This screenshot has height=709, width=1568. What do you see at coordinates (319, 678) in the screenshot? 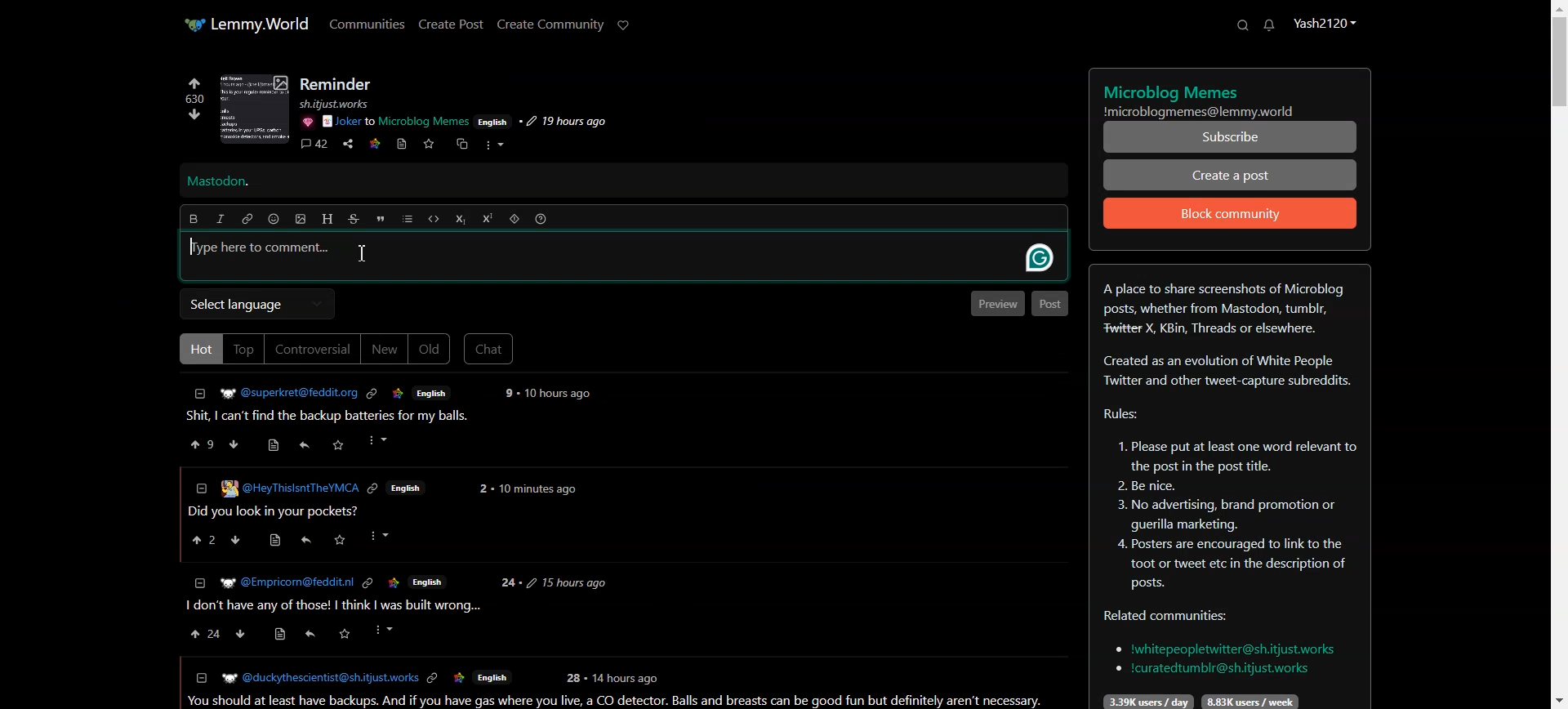
I see `® @duckythescientist@sh.
itjust works` at bounding box center [319, 678].